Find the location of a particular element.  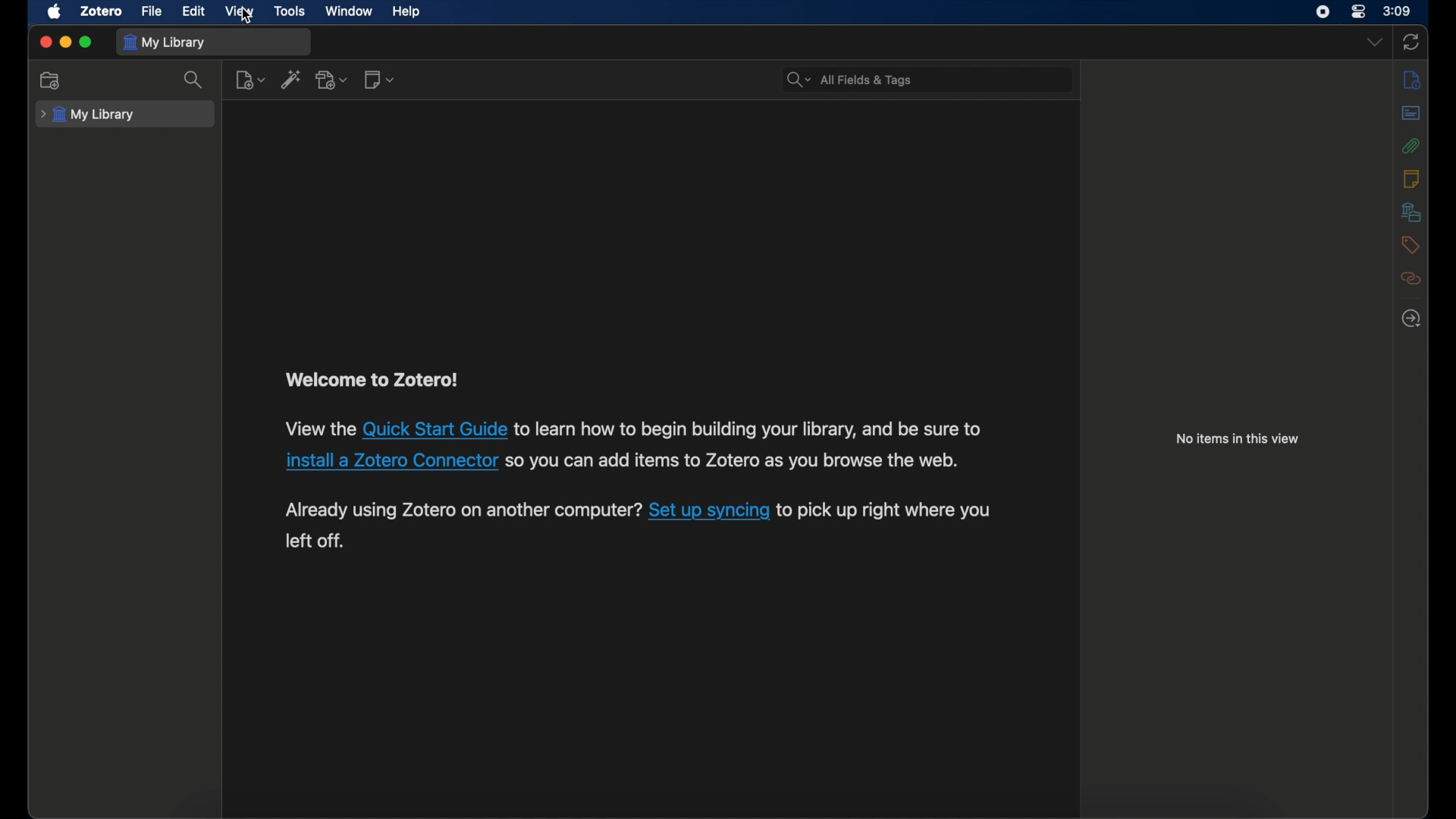

search is located at coordinates (851, 80).